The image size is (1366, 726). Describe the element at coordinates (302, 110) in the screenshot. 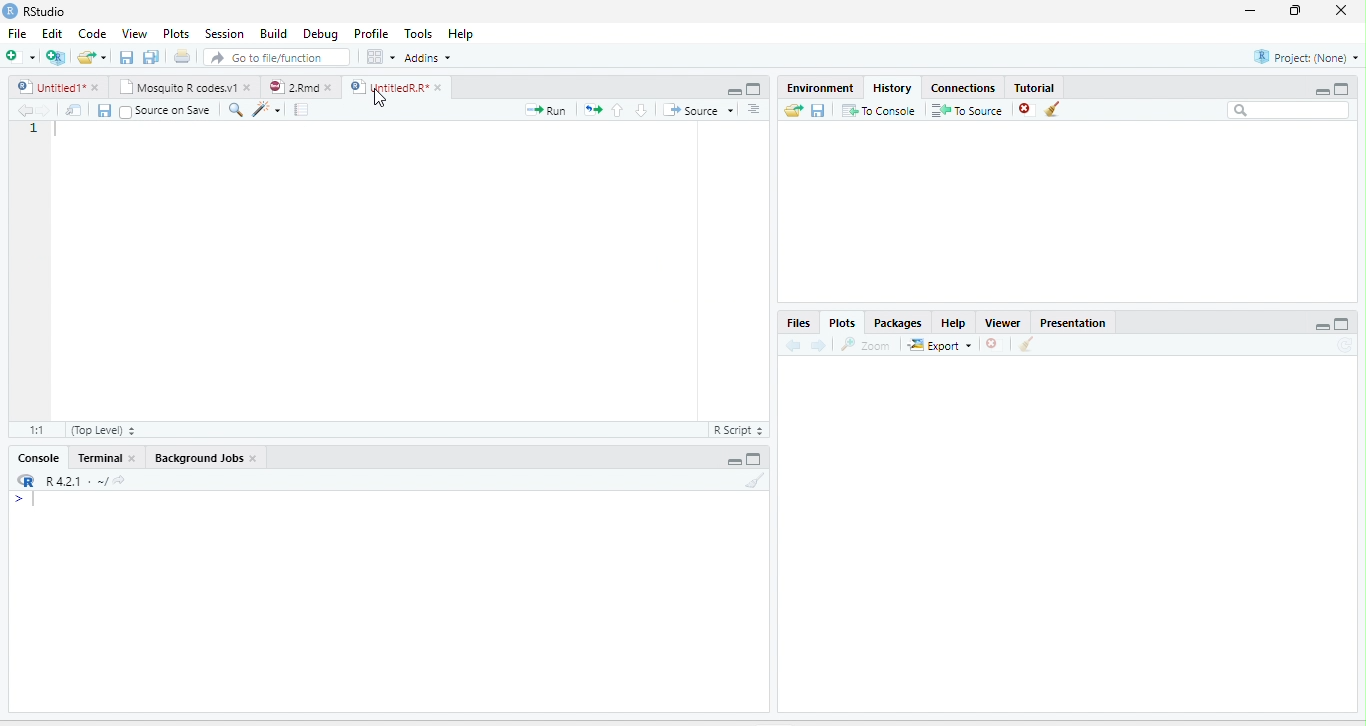

I see `Compile Report` at that location.